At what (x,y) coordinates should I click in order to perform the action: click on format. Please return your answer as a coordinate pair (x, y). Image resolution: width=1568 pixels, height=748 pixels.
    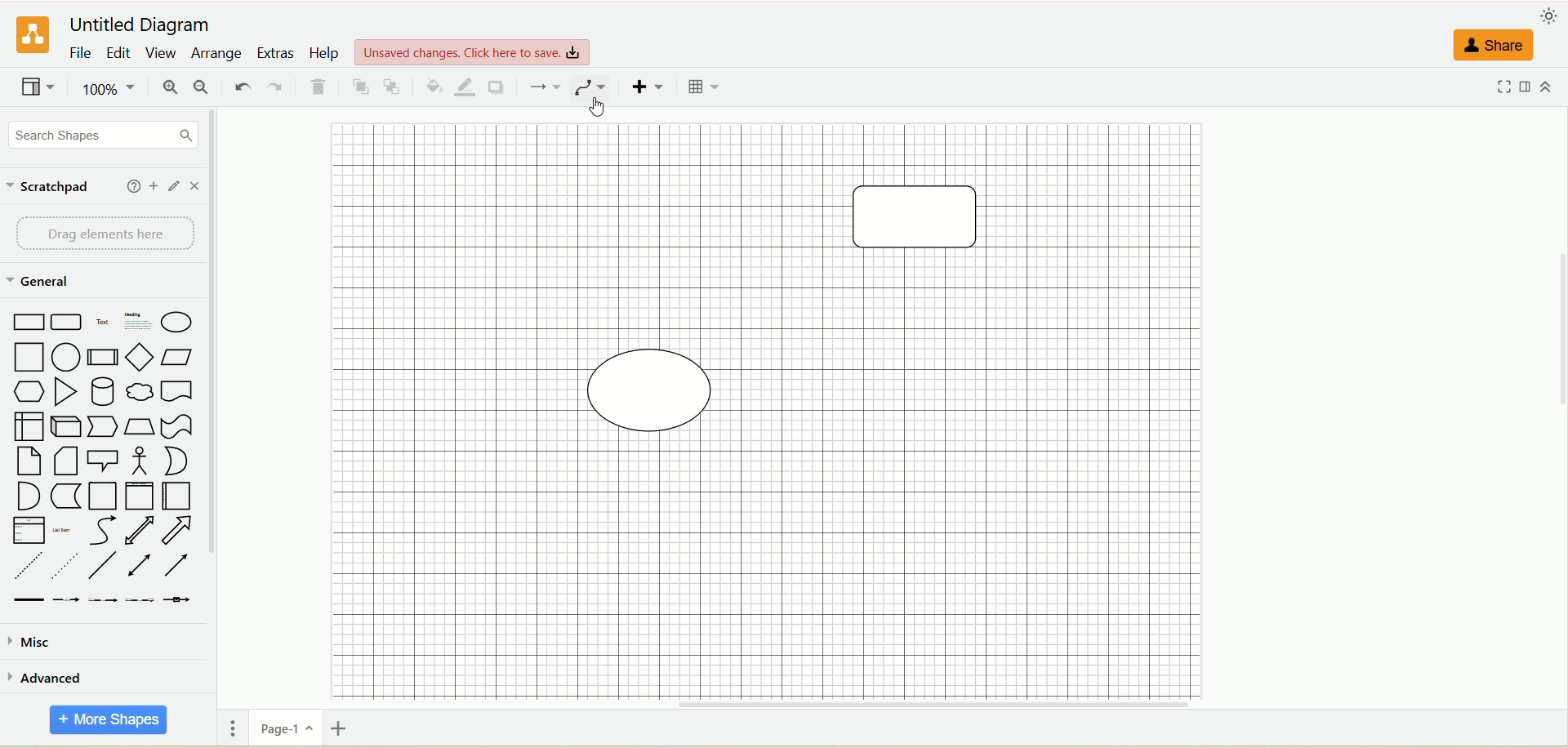
    Looking at the image, I should click on (1527, 89).